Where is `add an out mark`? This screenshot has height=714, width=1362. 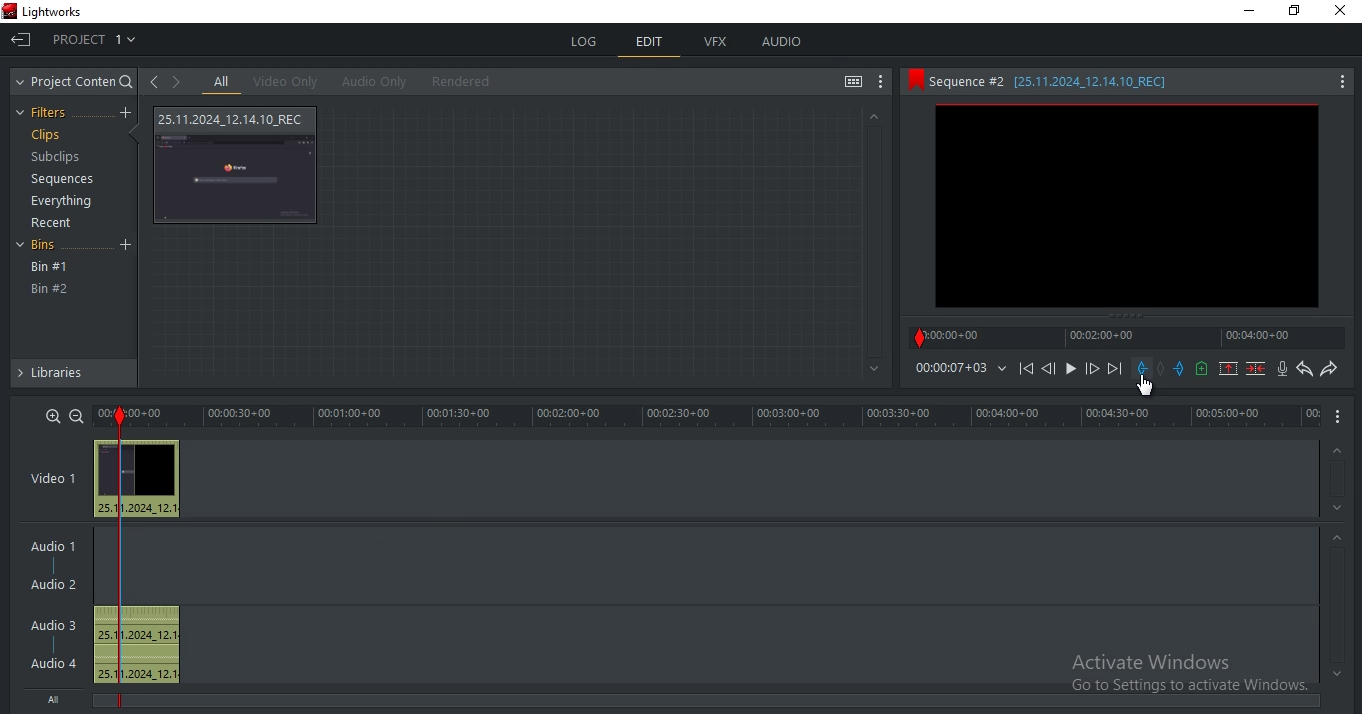
add an out mark is located at coordinates (1180, 369).